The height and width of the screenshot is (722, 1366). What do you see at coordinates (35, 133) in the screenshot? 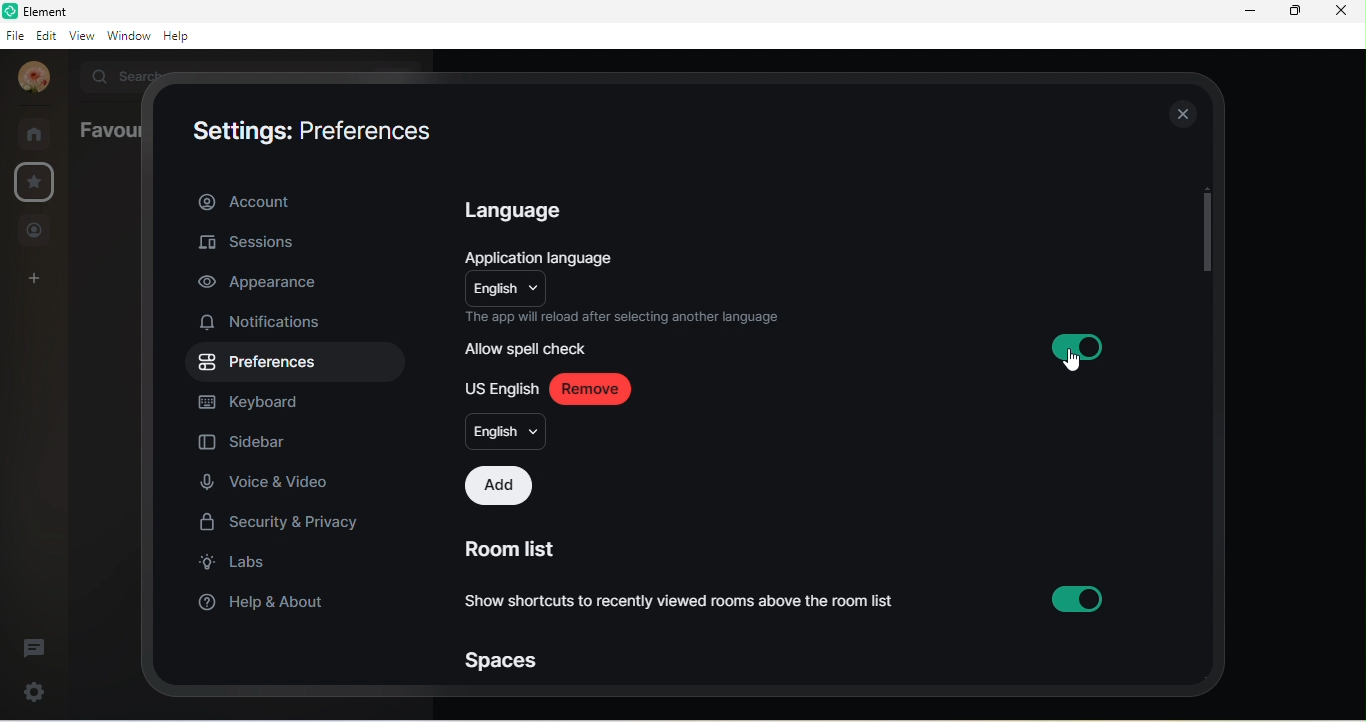
I see `rooms` at bounding box center [35, 133].